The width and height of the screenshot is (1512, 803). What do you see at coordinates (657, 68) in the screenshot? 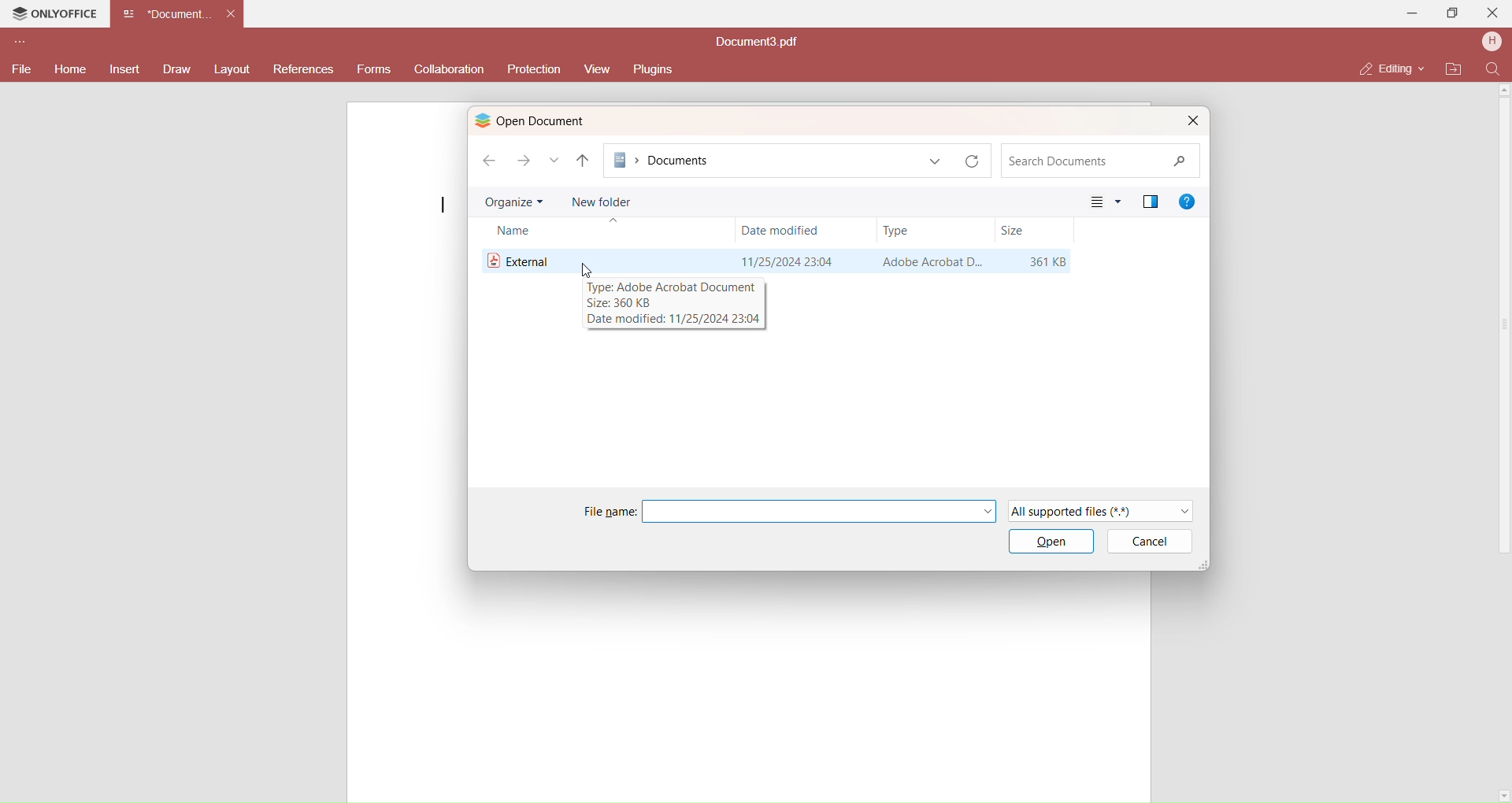
I see `Plugins` at bounding box center [657, 68].